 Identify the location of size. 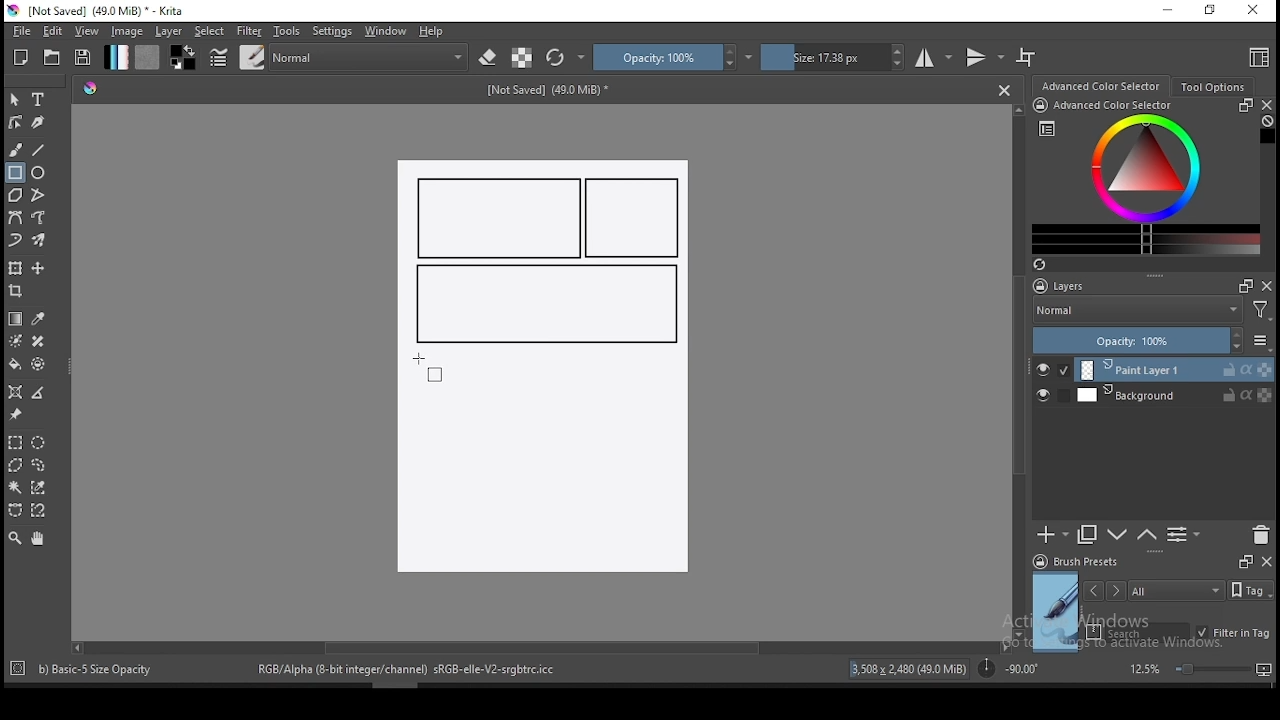
(833, 57).